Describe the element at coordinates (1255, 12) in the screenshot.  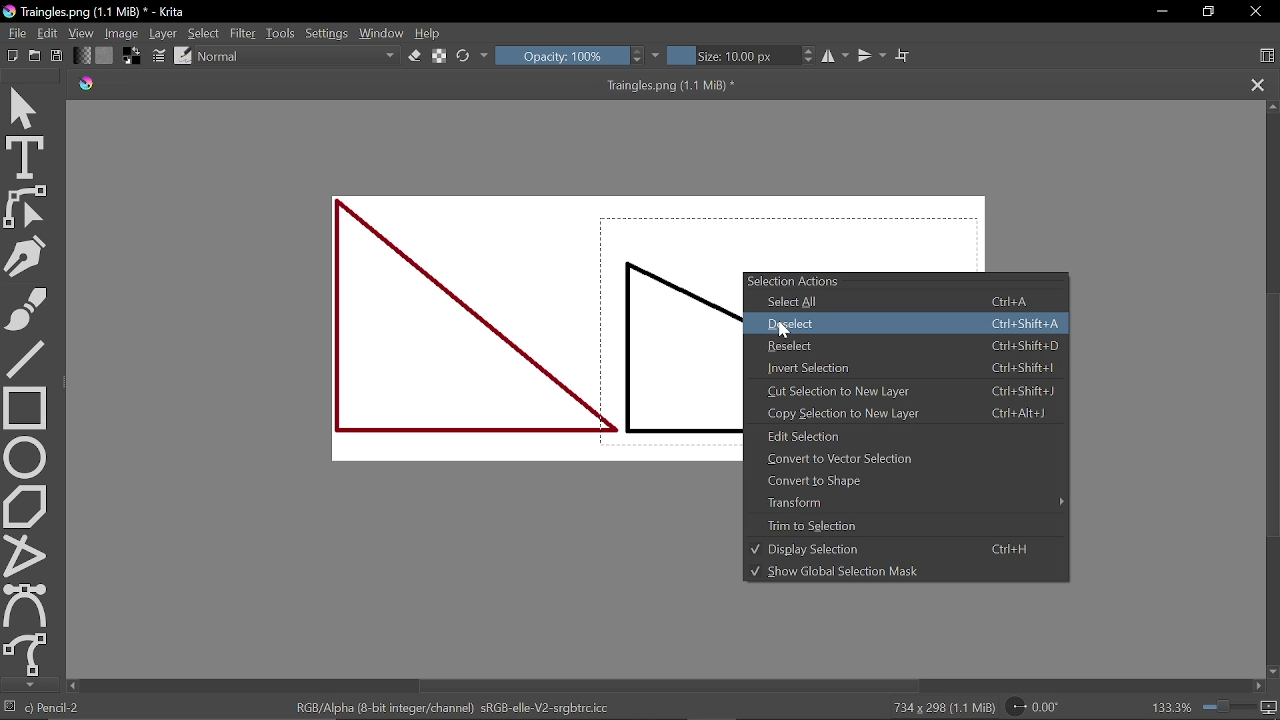
I see `Close` at that location.